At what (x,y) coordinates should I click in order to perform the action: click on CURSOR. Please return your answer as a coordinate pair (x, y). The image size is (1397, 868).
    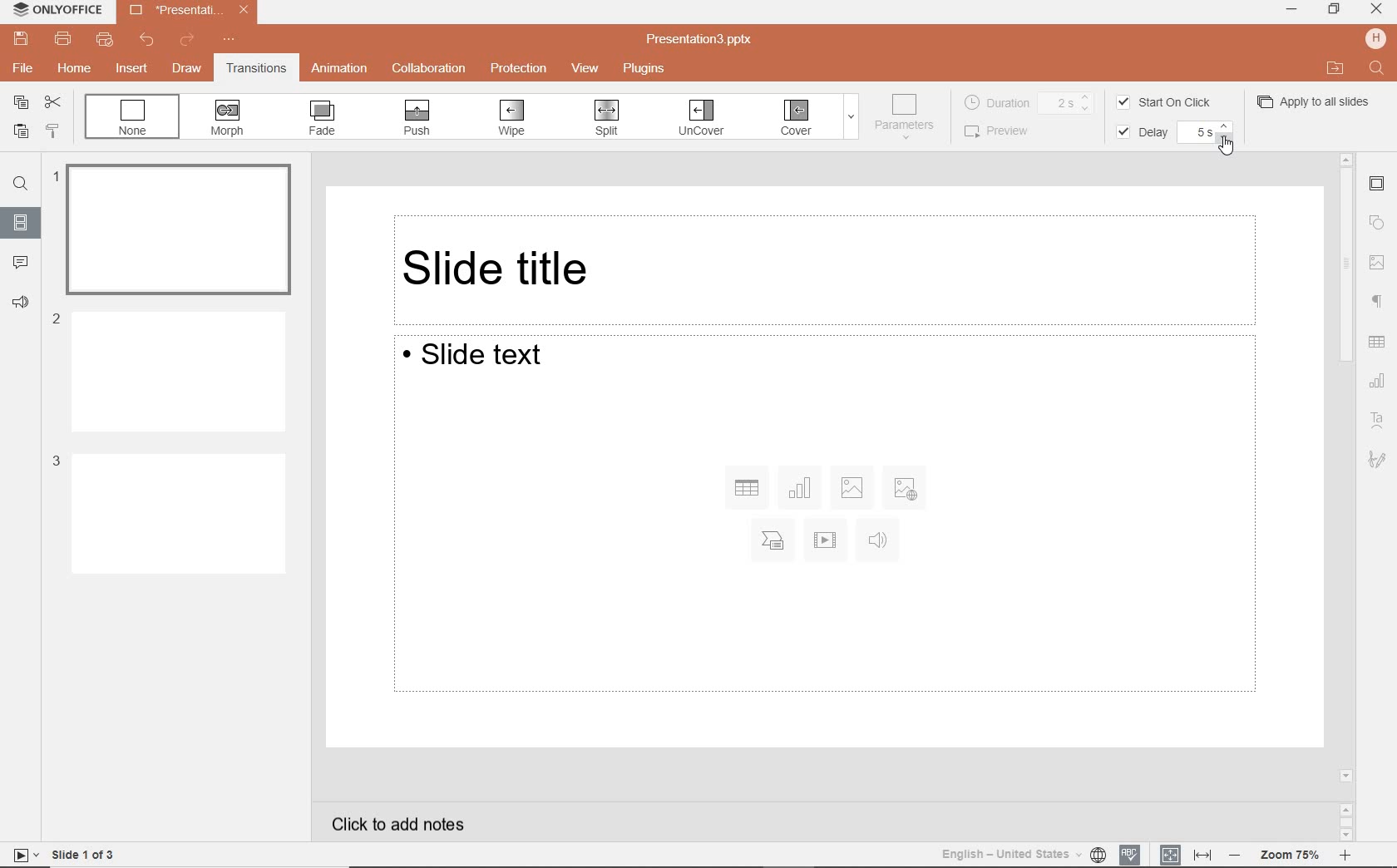
    Looking at the image, I should click on (1224, 145).